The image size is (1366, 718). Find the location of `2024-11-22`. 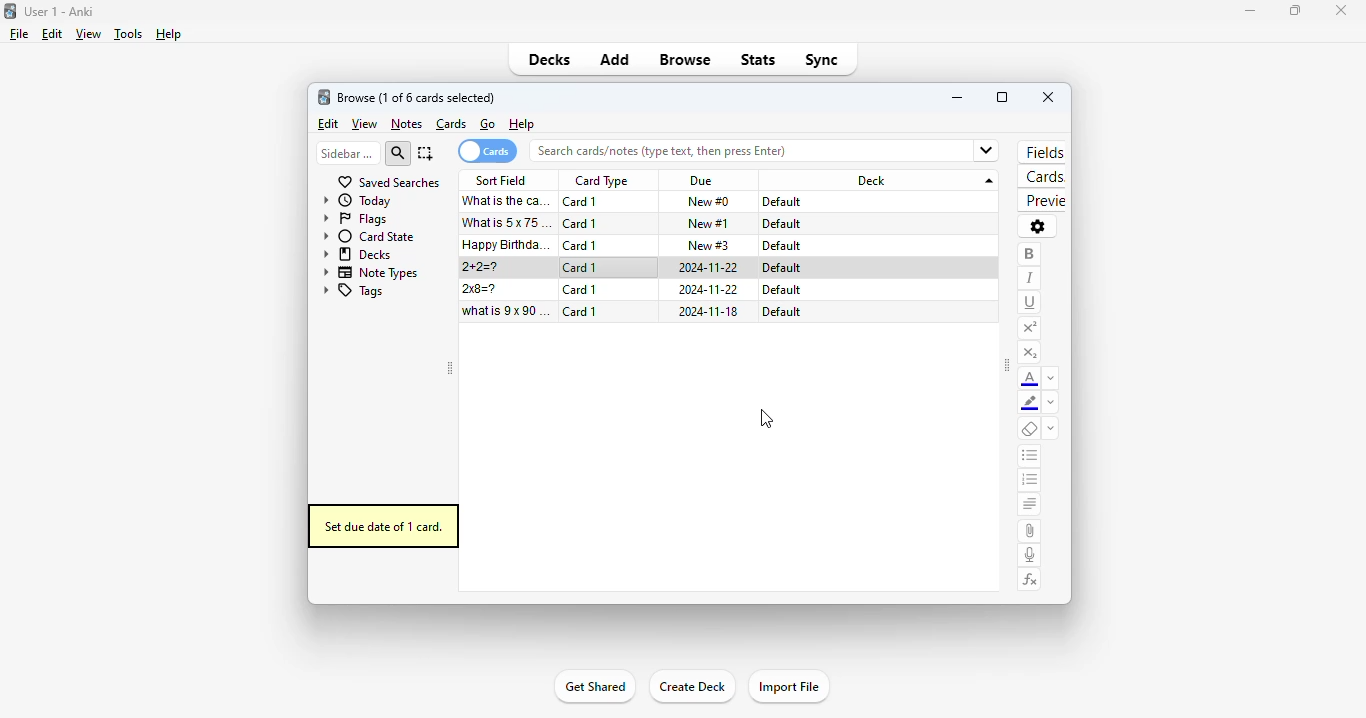

2024-11-22 is located at coordinates (710, 289).